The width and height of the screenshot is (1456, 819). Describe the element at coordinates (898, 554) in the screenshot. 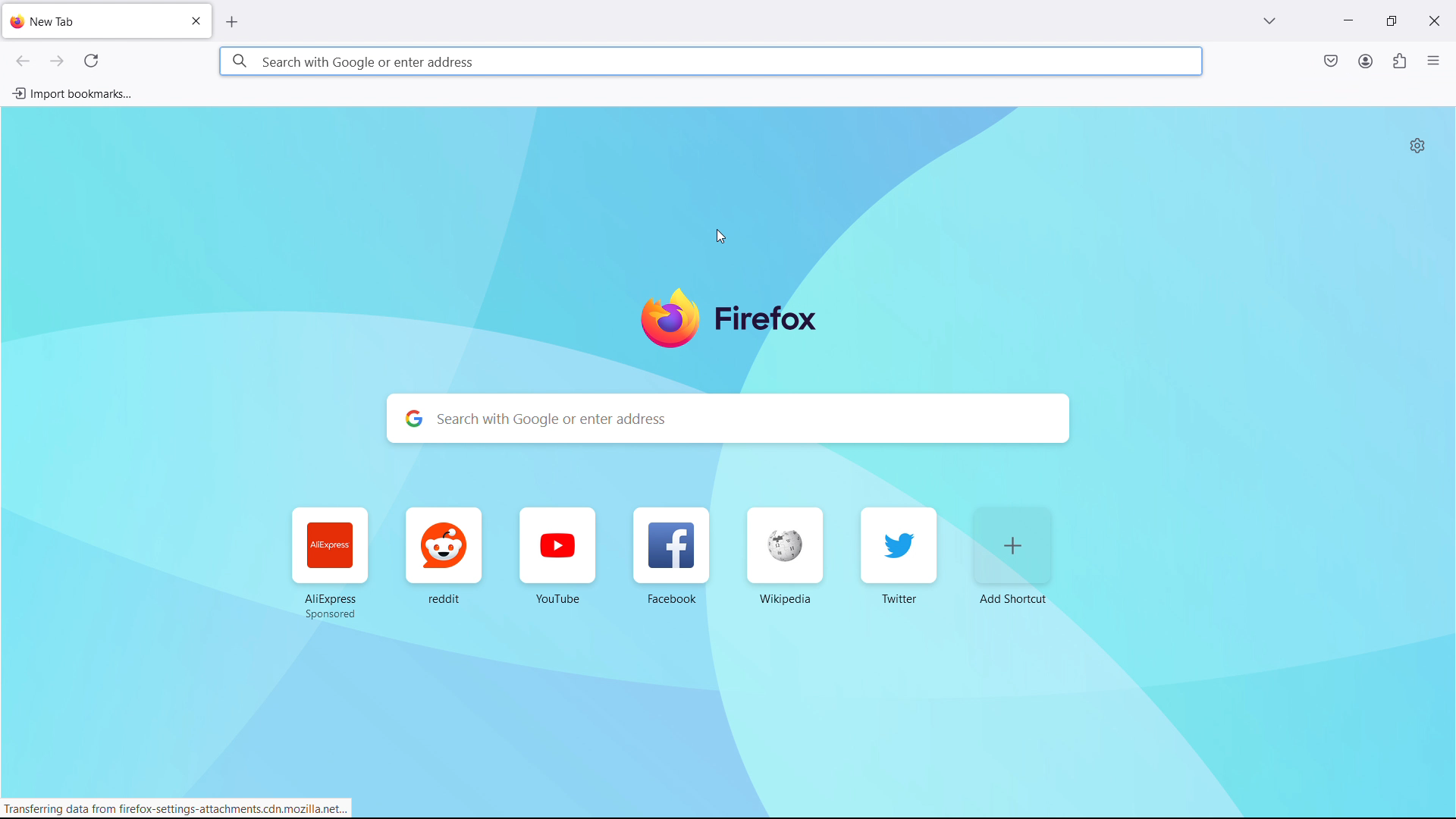

I see `Twitter` at that location.